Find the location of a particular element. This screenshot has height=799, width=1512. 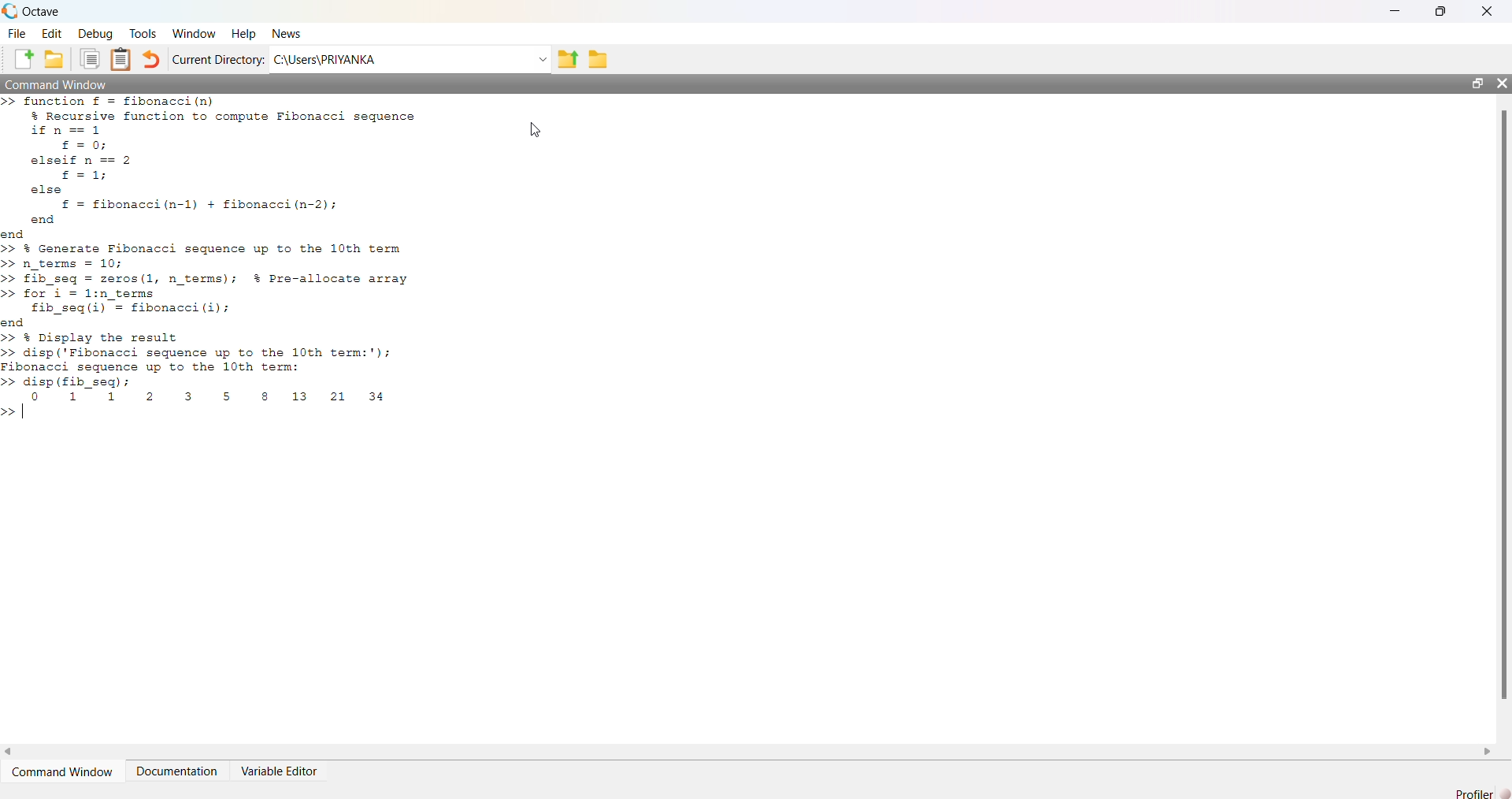

close is located at coordinates (1501, 82).